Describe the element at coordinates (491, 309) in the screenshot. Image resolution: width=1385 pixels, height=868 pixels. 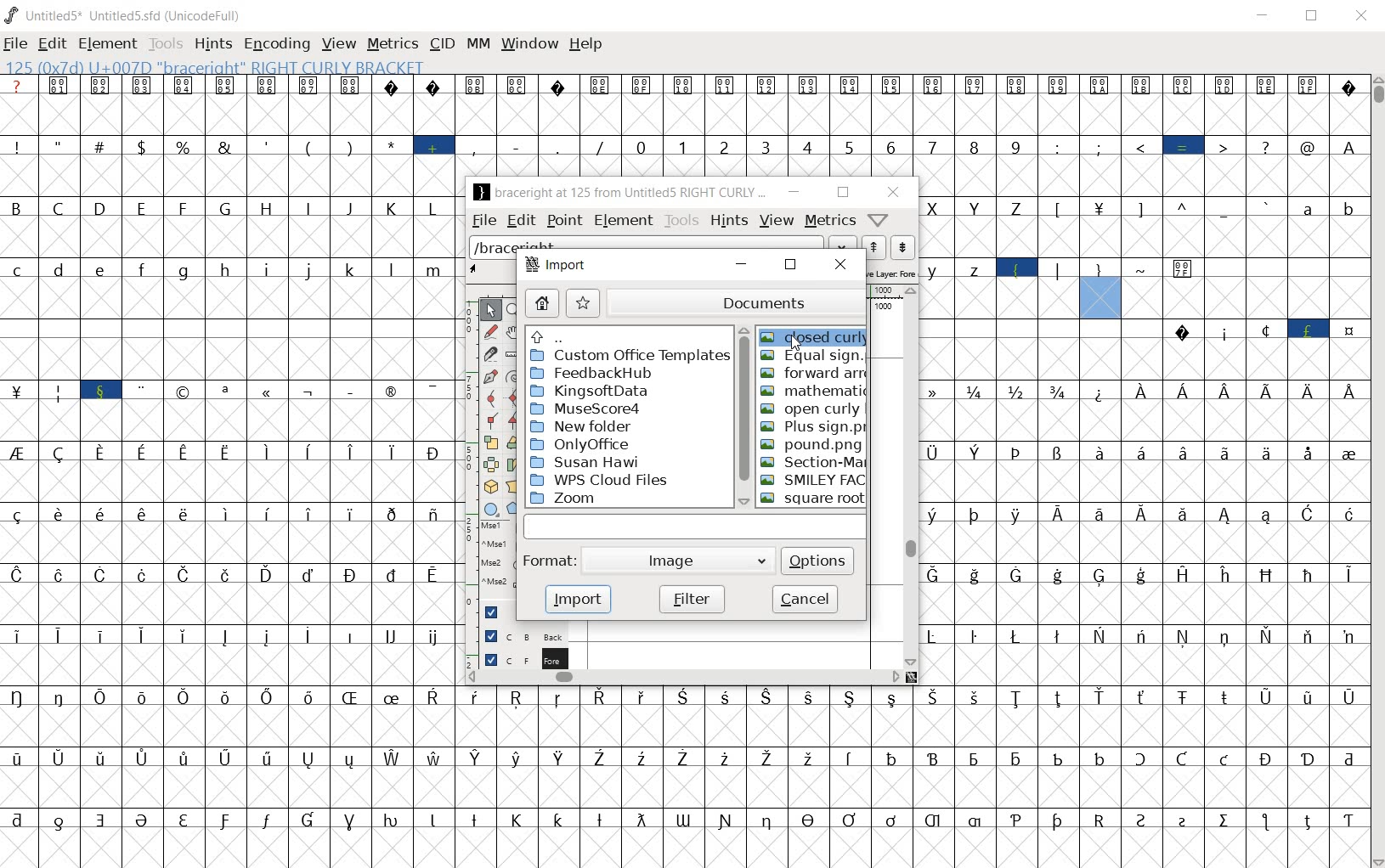
I see `POINTER` at that location.